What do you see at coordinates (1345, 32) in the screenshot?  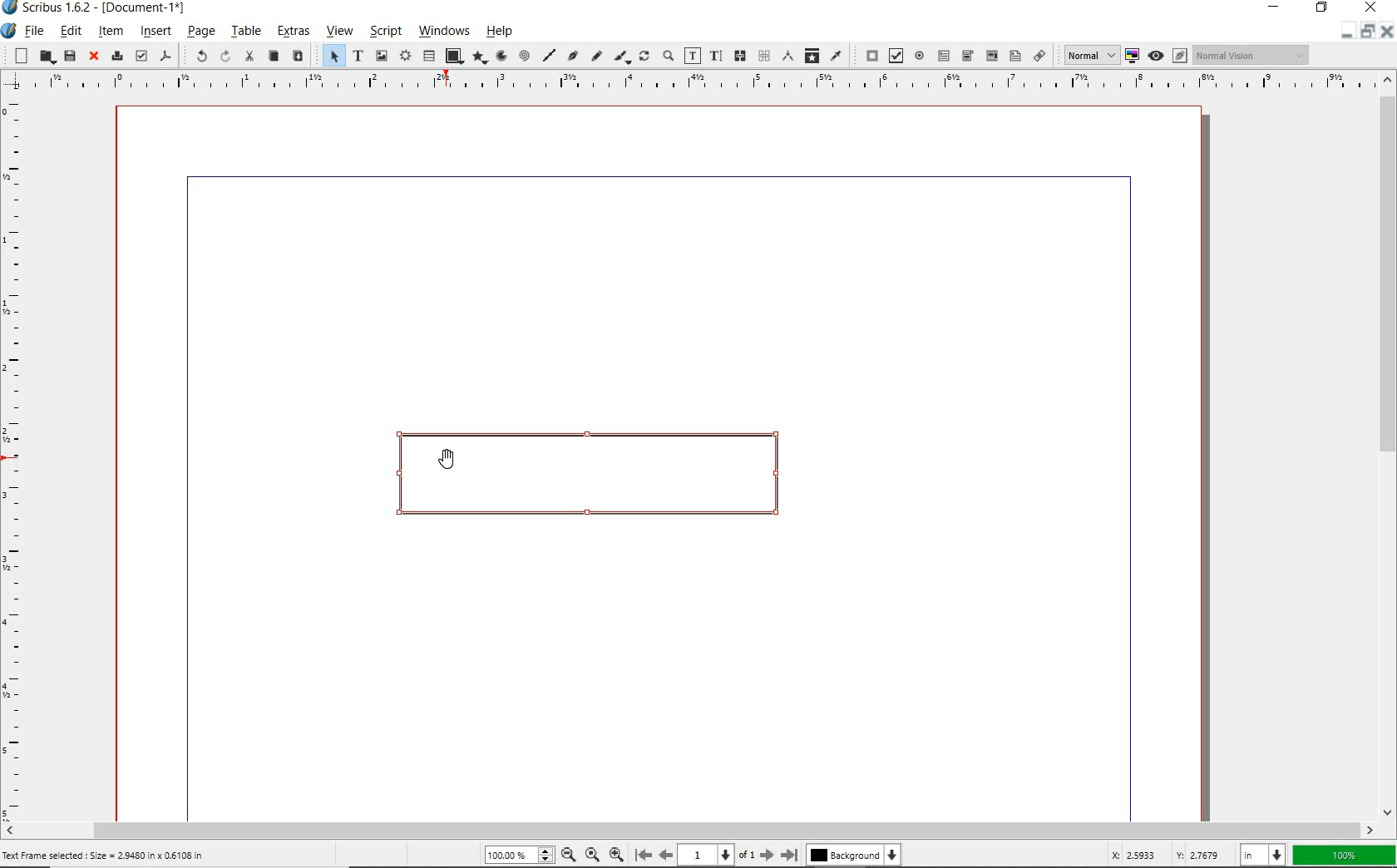 I see `Restore down` at bounding box center [1345, 32].